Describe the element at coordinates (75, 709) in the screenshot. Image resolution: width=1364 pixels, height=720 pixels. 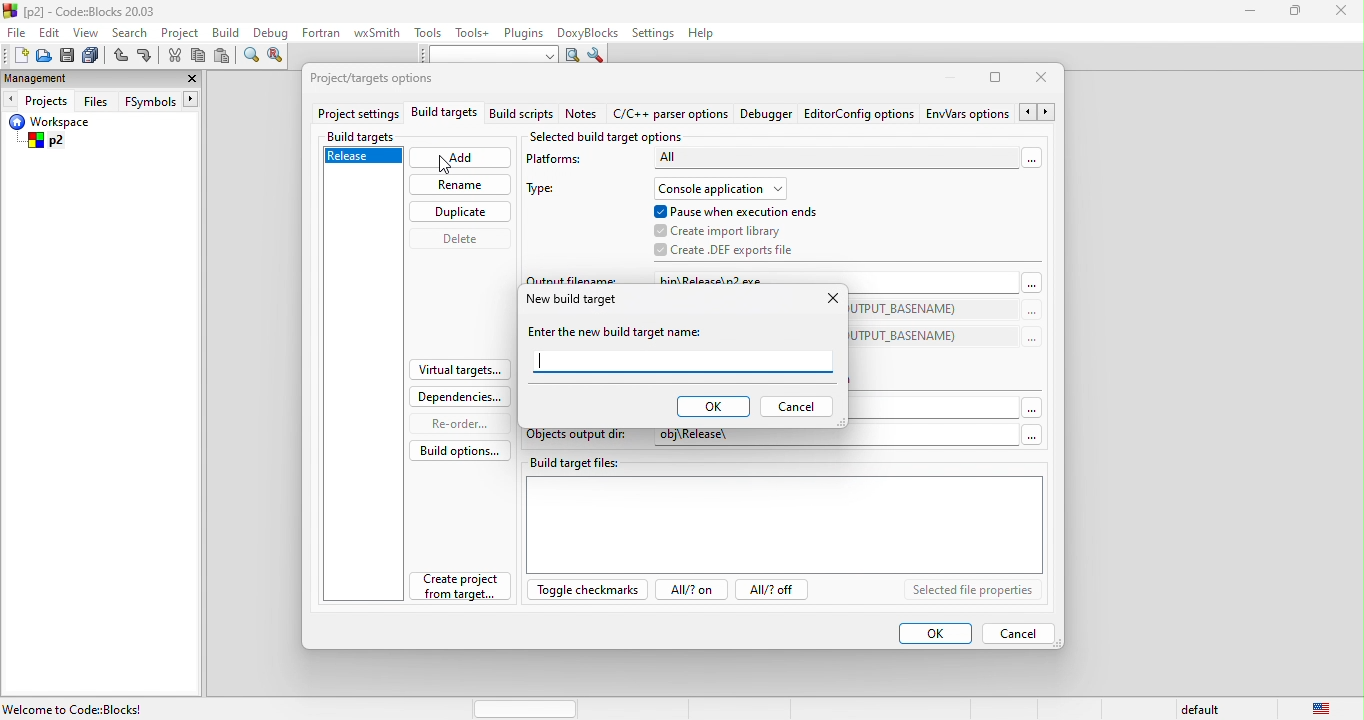
I see `Welcome to Code::Blocks!` at that location.